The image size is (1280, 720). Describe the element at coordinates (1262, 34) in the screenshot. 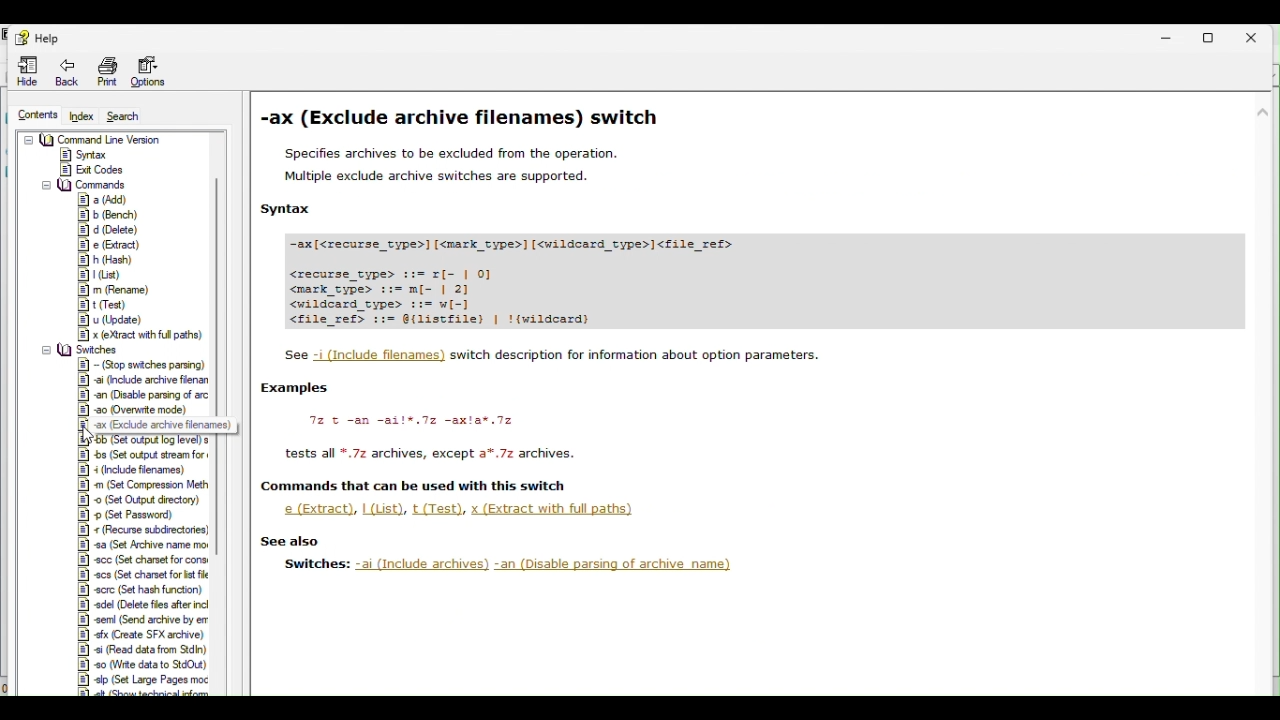

I see `Close` at that location.